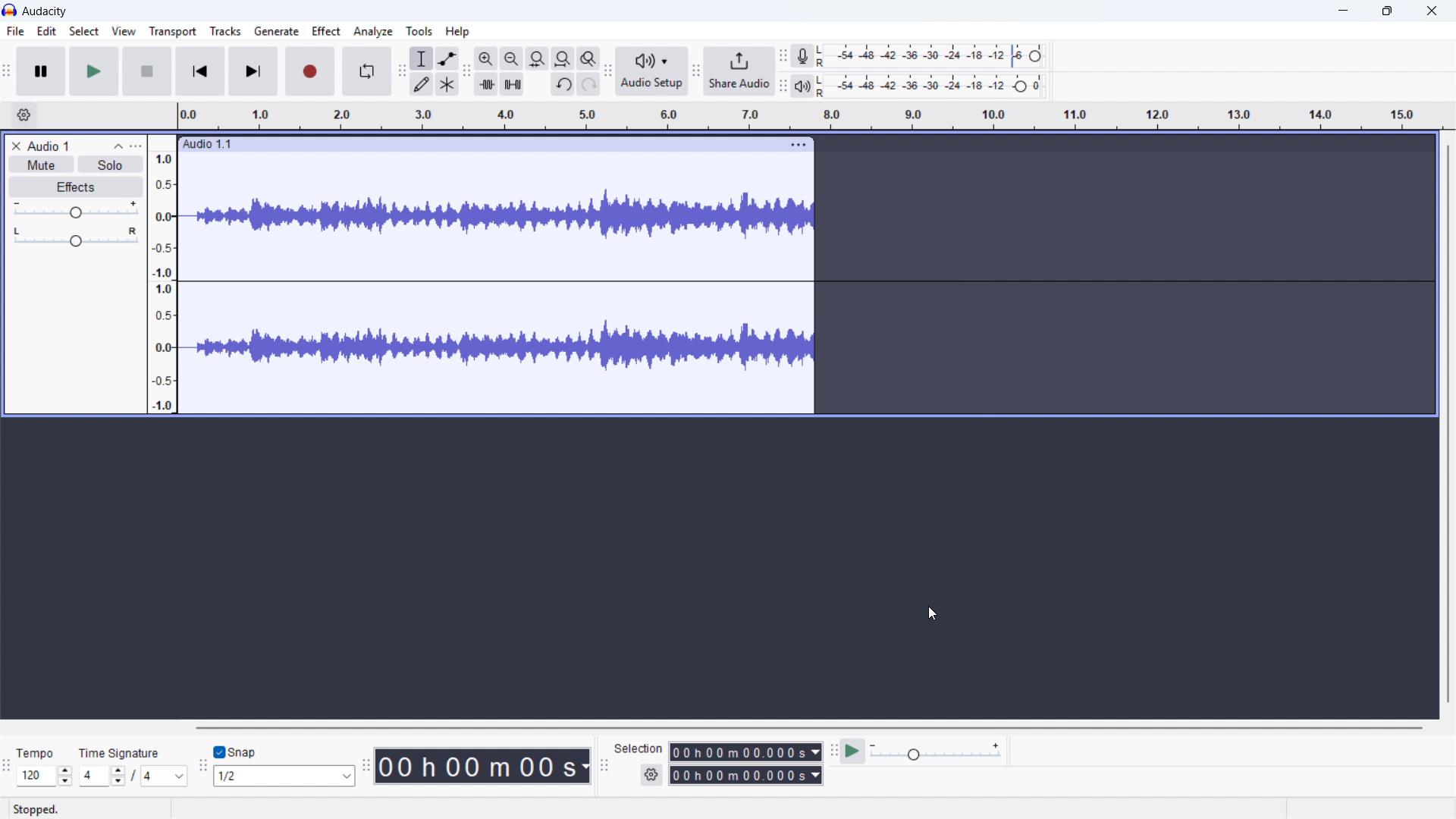 The width and height of the screenshot is (1456, 819). What do you see at coordinates (84, 32) in the screenshot?
I see `Select ` at bounding box center [84, 32].